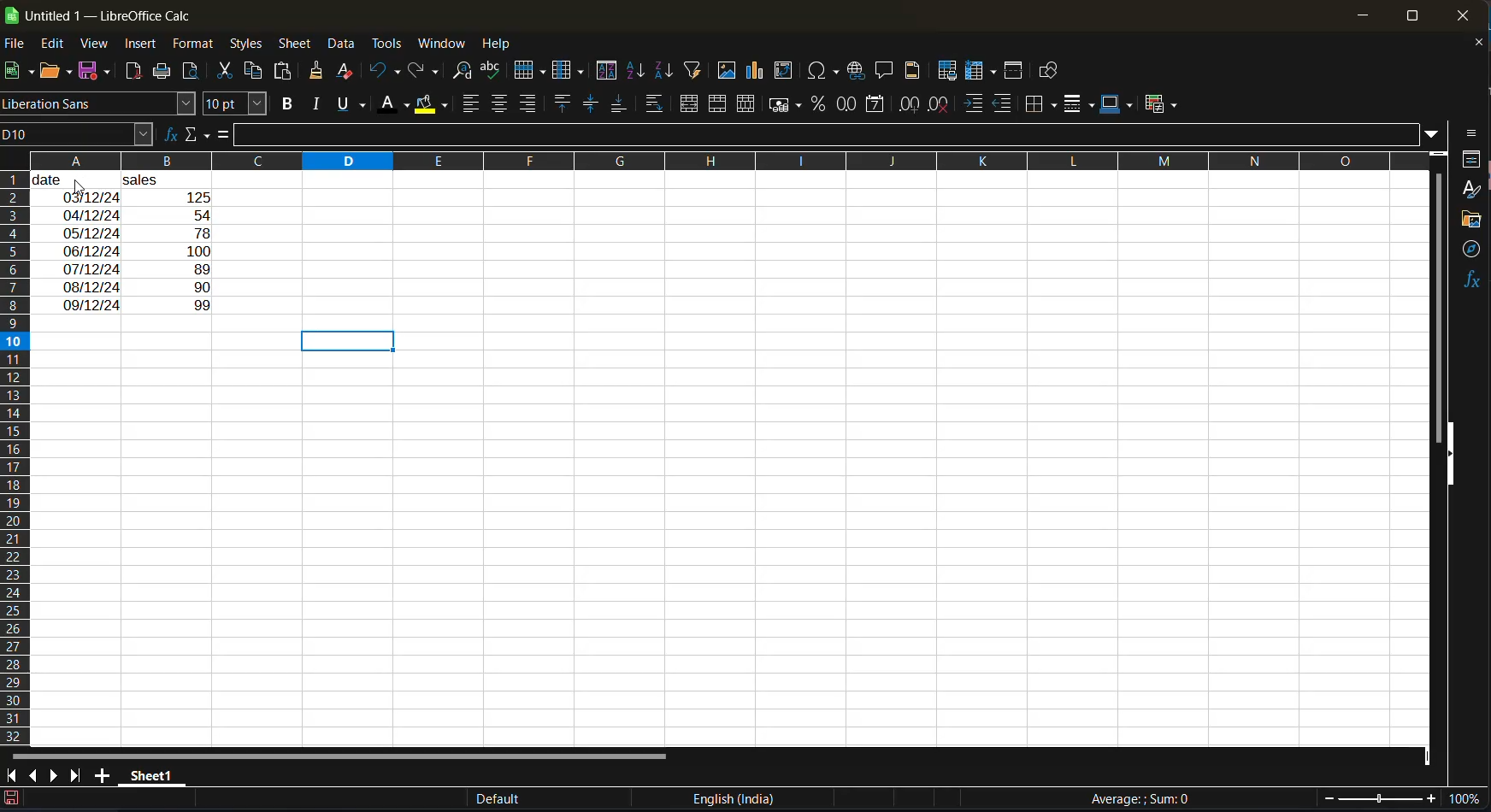  What do you see at coordinates (1439, 293) in the screenshot?
I see `vertical scroll bar` at bounding box center [1439, 293].